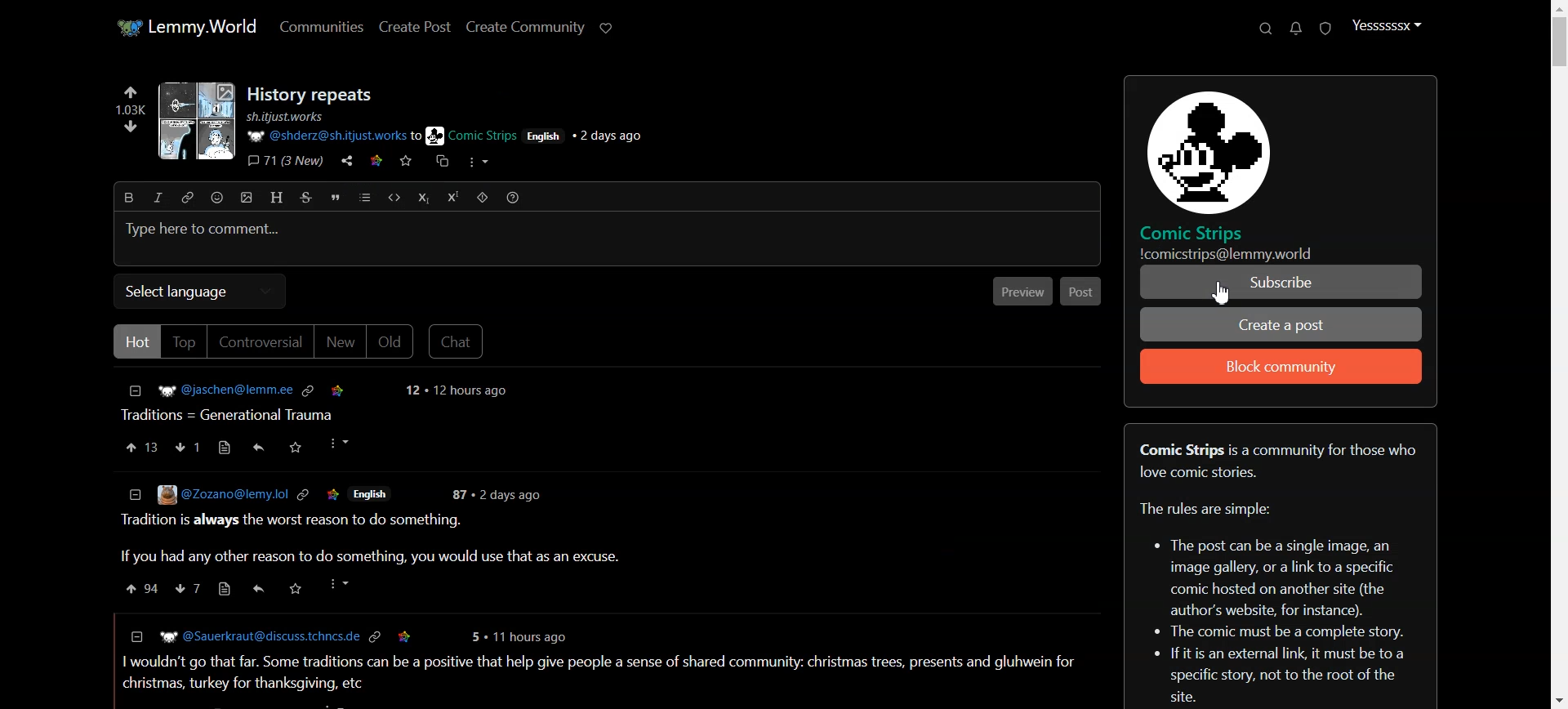 This screenshot has height=709, width=1568. Describe the element at coordinates (185, 342) in the screenshot. I see `Top` at that location.